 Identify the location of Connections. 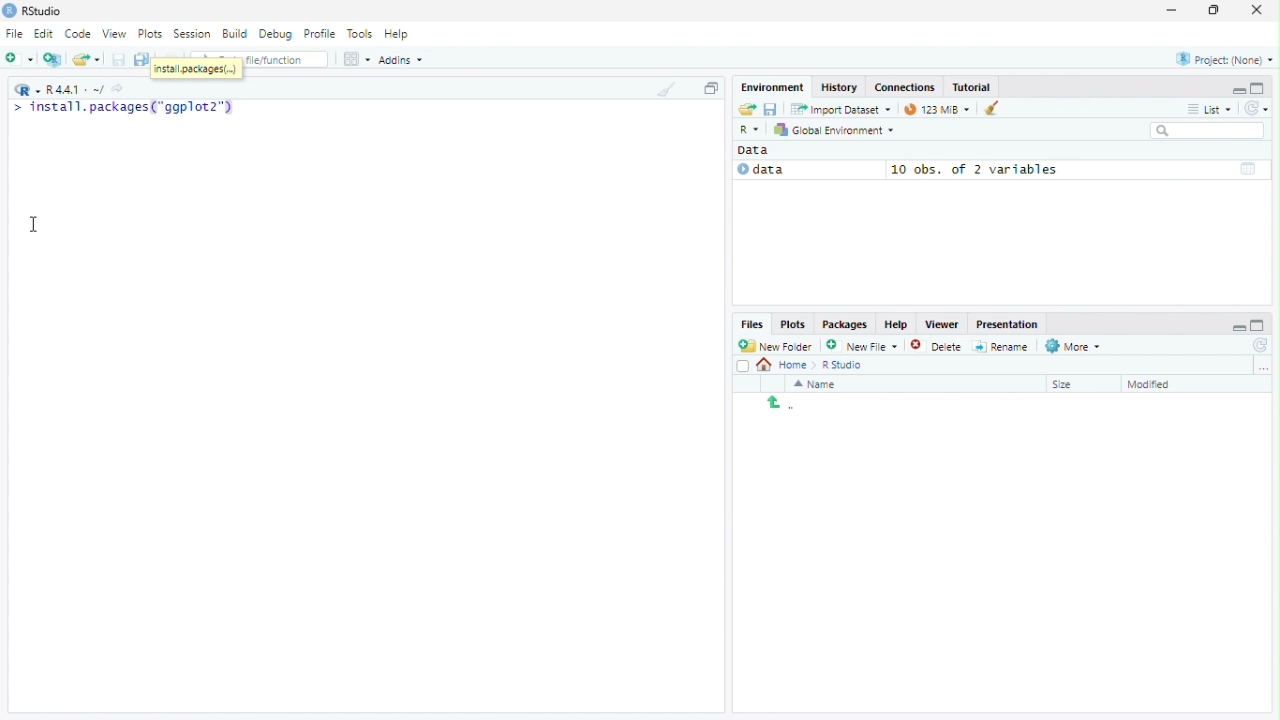
(904, 87).